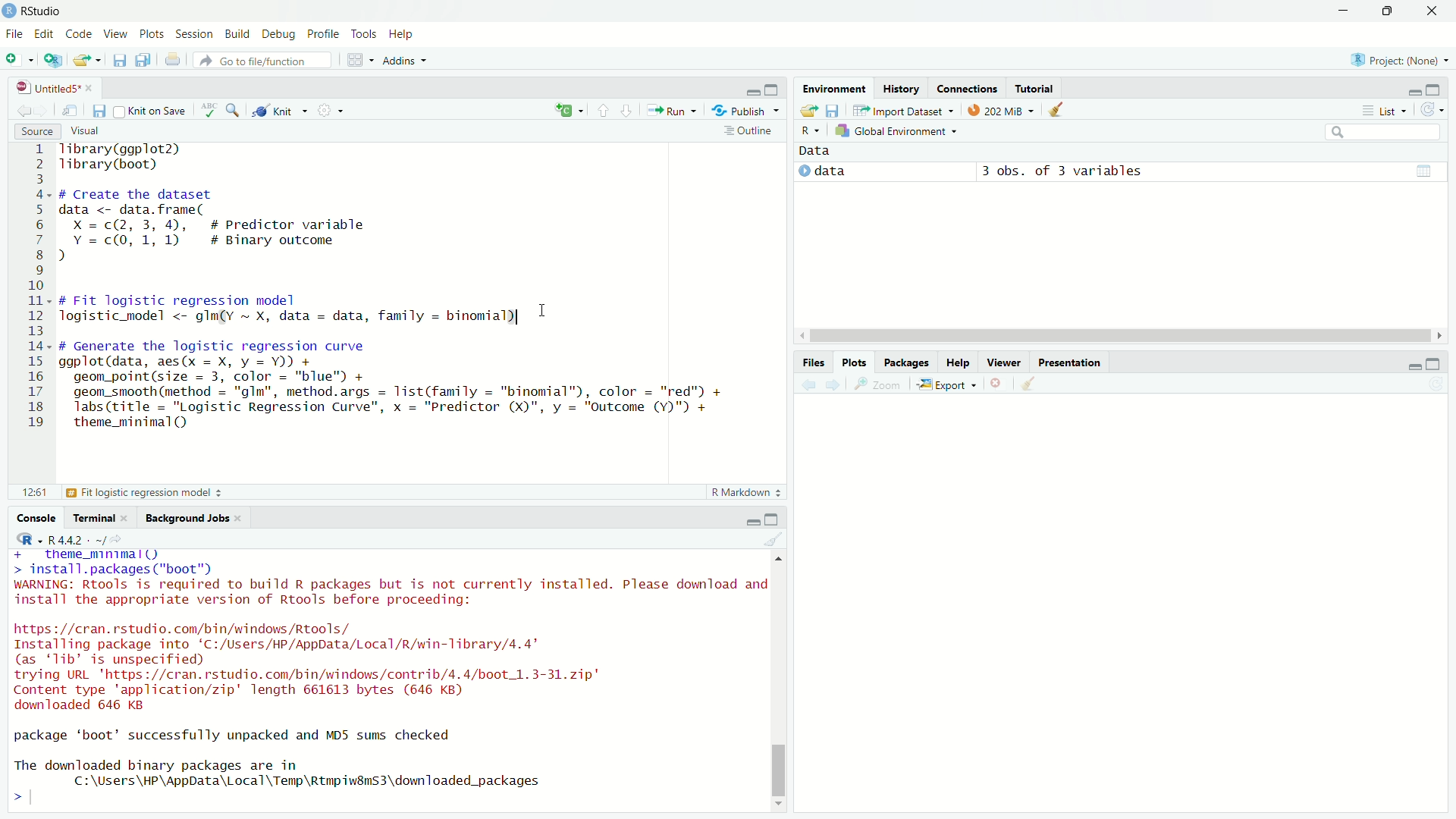 The image size is (1456, 819). I want to click on cursor, so click(544, 311).